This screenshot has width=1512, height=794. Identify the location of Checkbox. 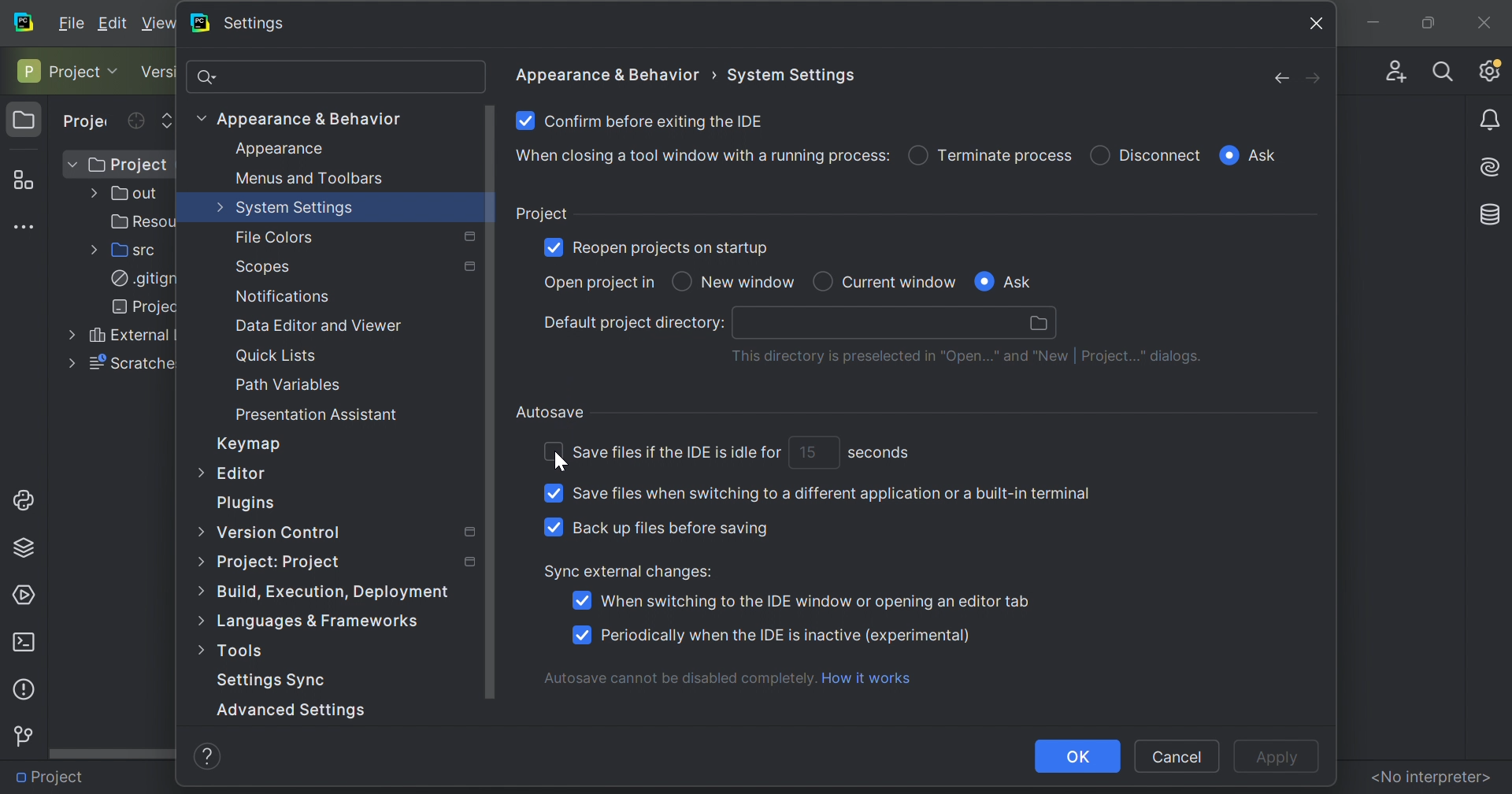
(580, 600).